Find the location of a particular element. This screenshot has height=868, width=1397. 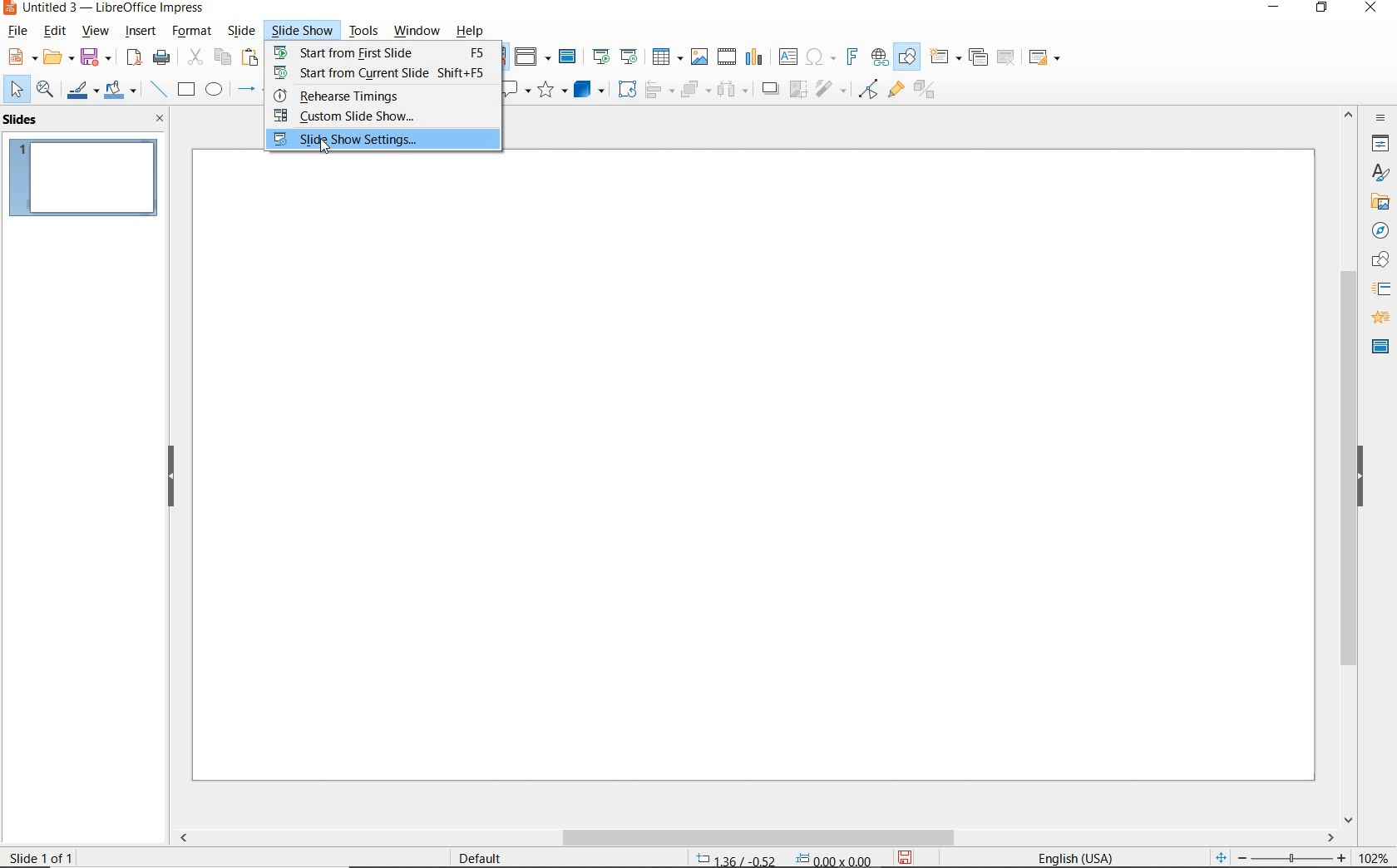

TOGGLE POINT EDIT MODE is located at coordinates (870, 87).